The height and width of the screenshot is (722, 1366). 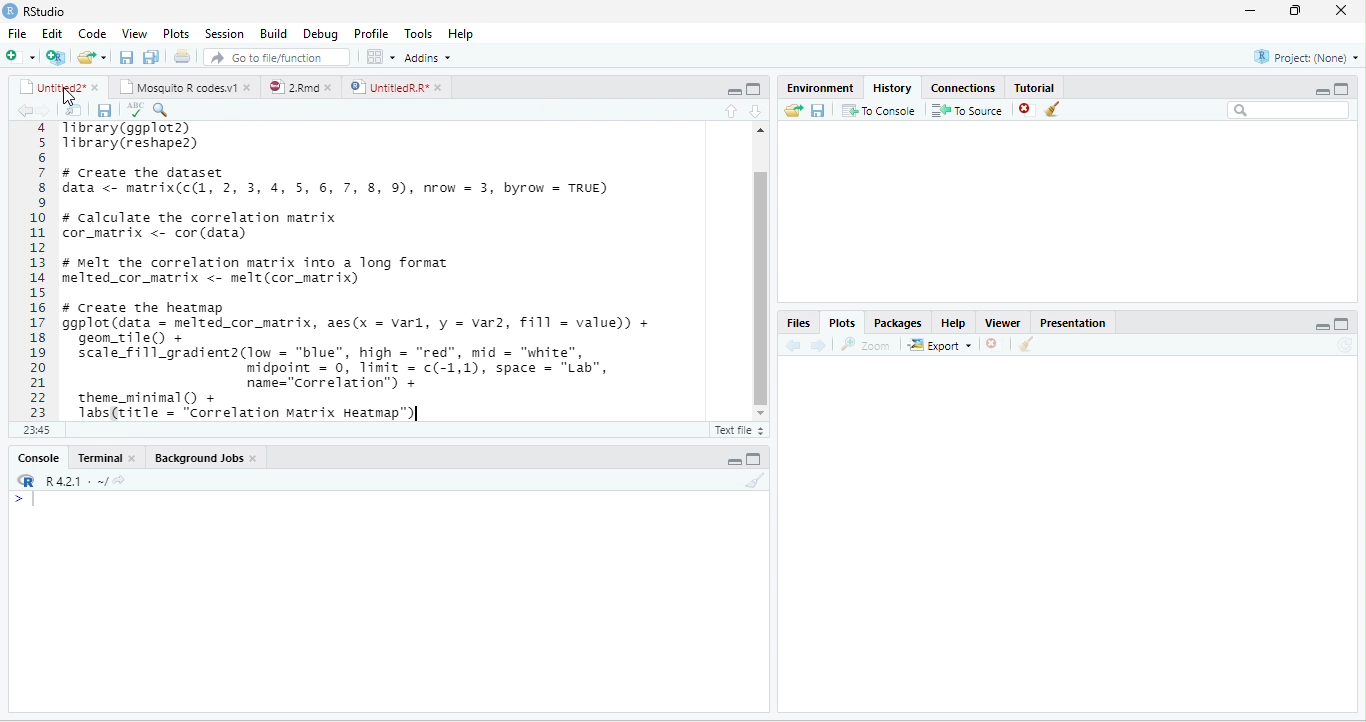 What do you see at coordinates (181, 56) in the screenshot?
I see `document` at bounding box center [181, 56].